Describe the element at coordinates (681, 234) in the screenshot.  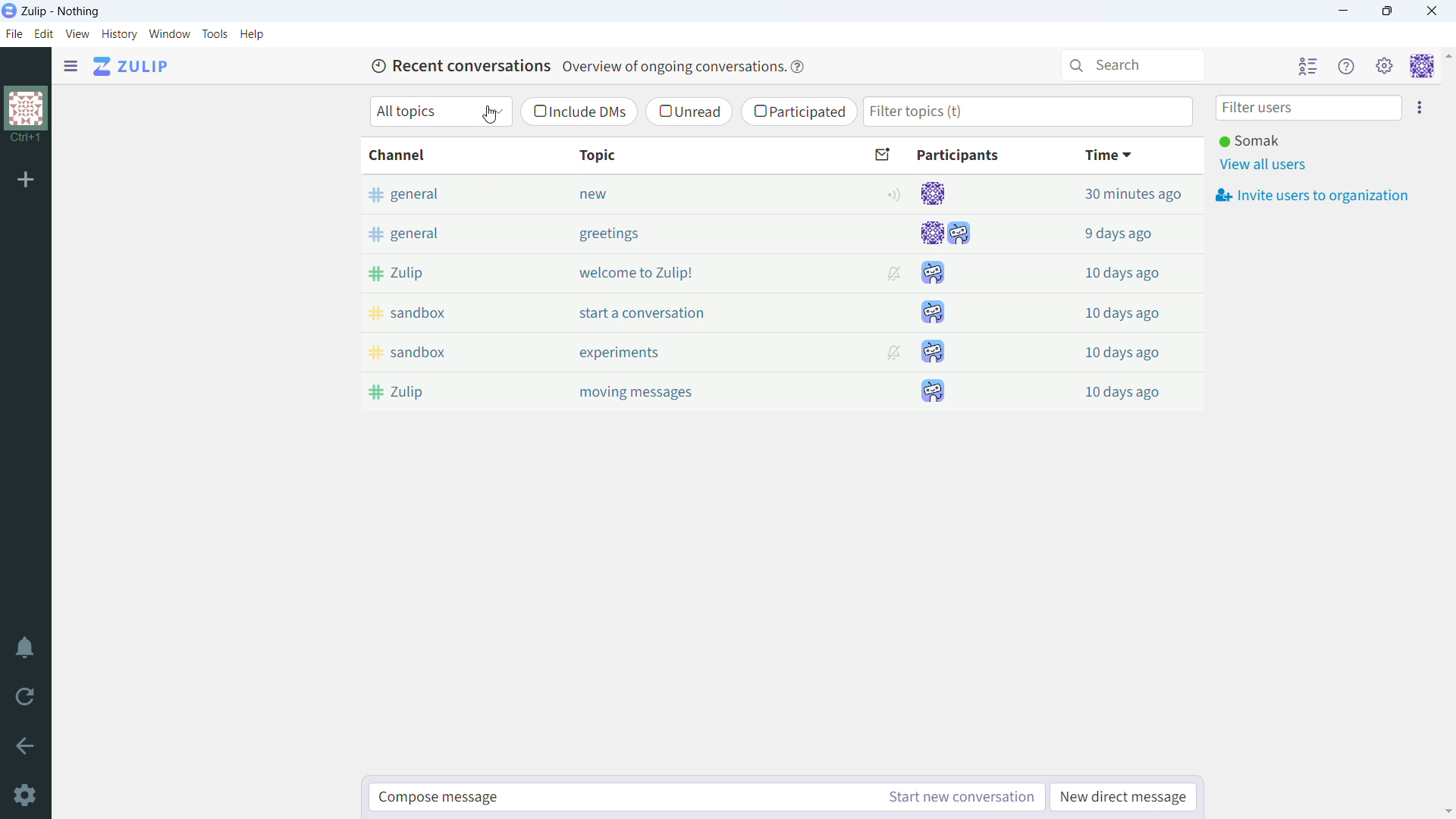
I see `greetings` at that location.